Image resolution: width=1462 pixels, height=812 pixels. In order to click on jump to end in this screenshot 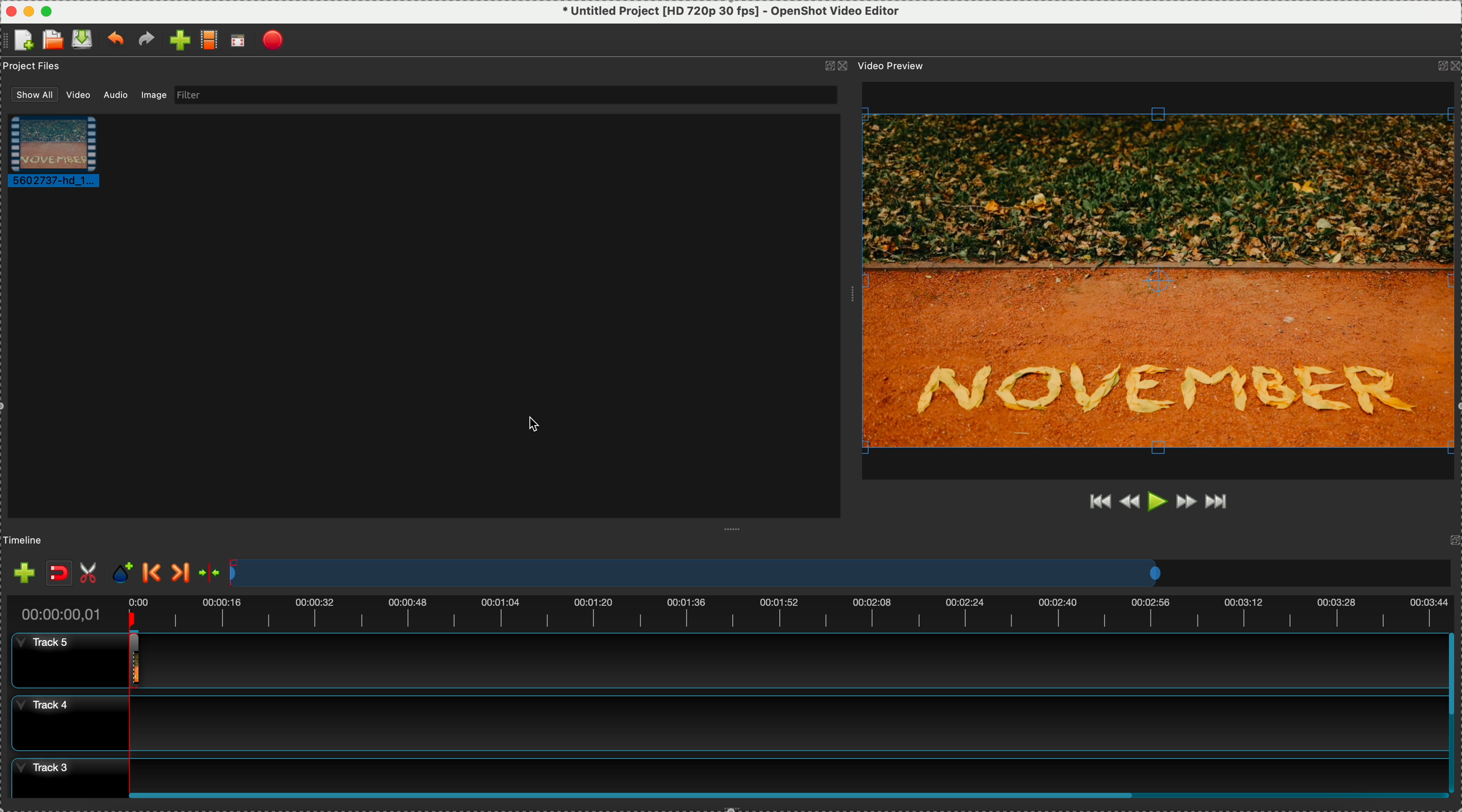, I will do `click(1221, 504)`.